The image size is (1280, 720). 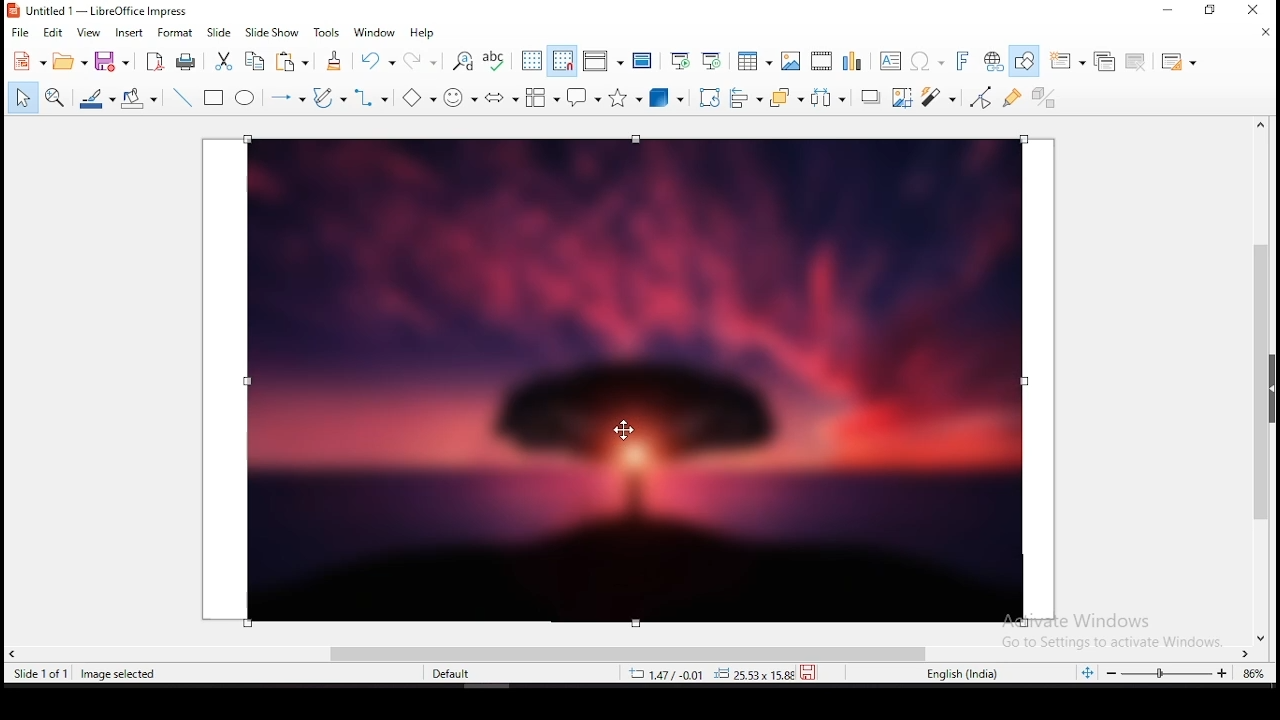 What do you see at coordinates (641, 60) in the screenshot?
I see `master slide` at bounding box center [641, 60].